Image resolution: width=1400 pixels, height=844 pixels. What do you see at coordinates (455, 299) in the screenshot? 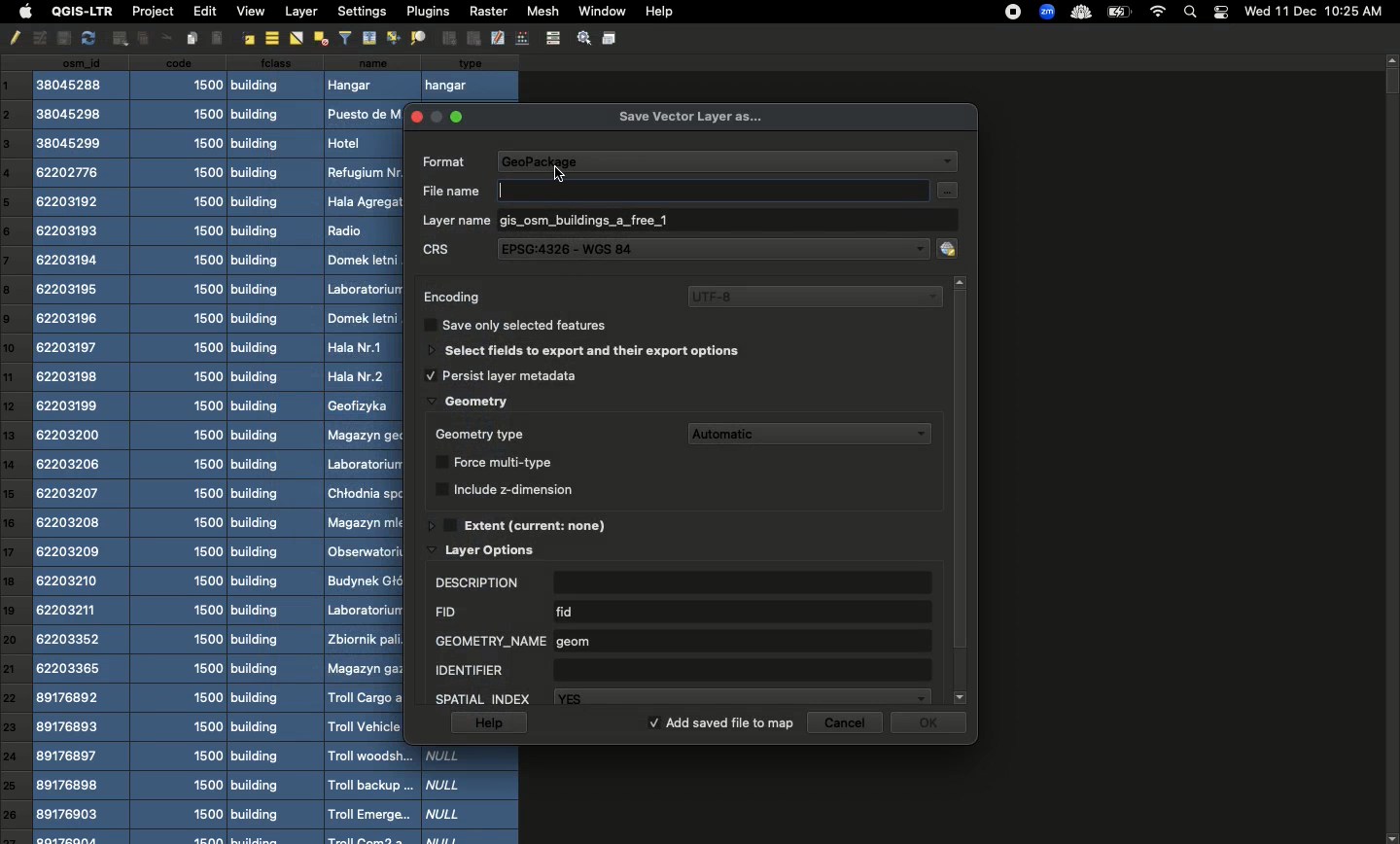
I see `Encoding` at bounding box center [455, 299].